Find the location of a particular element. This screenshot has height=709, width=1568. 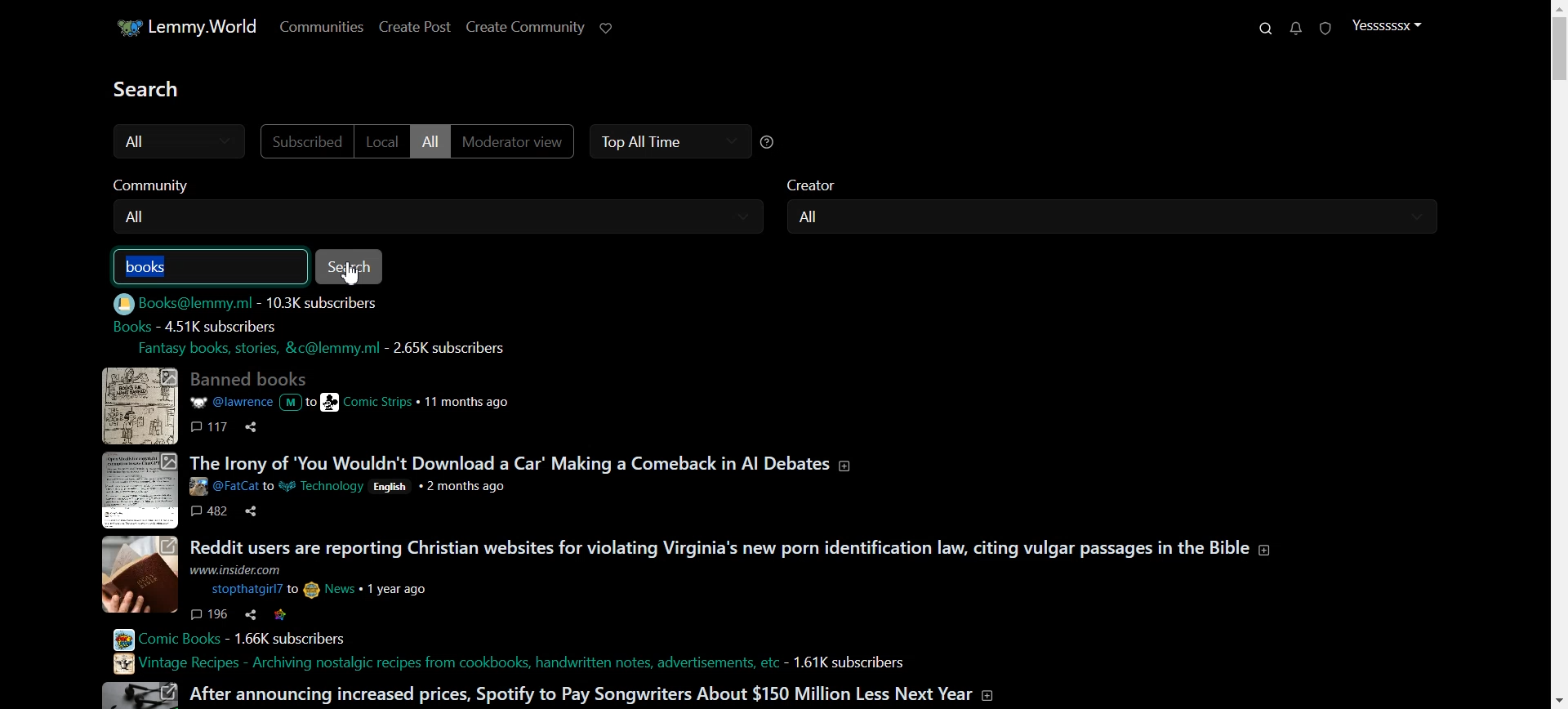

Unread Reports is located at coordinates (1325, 28).